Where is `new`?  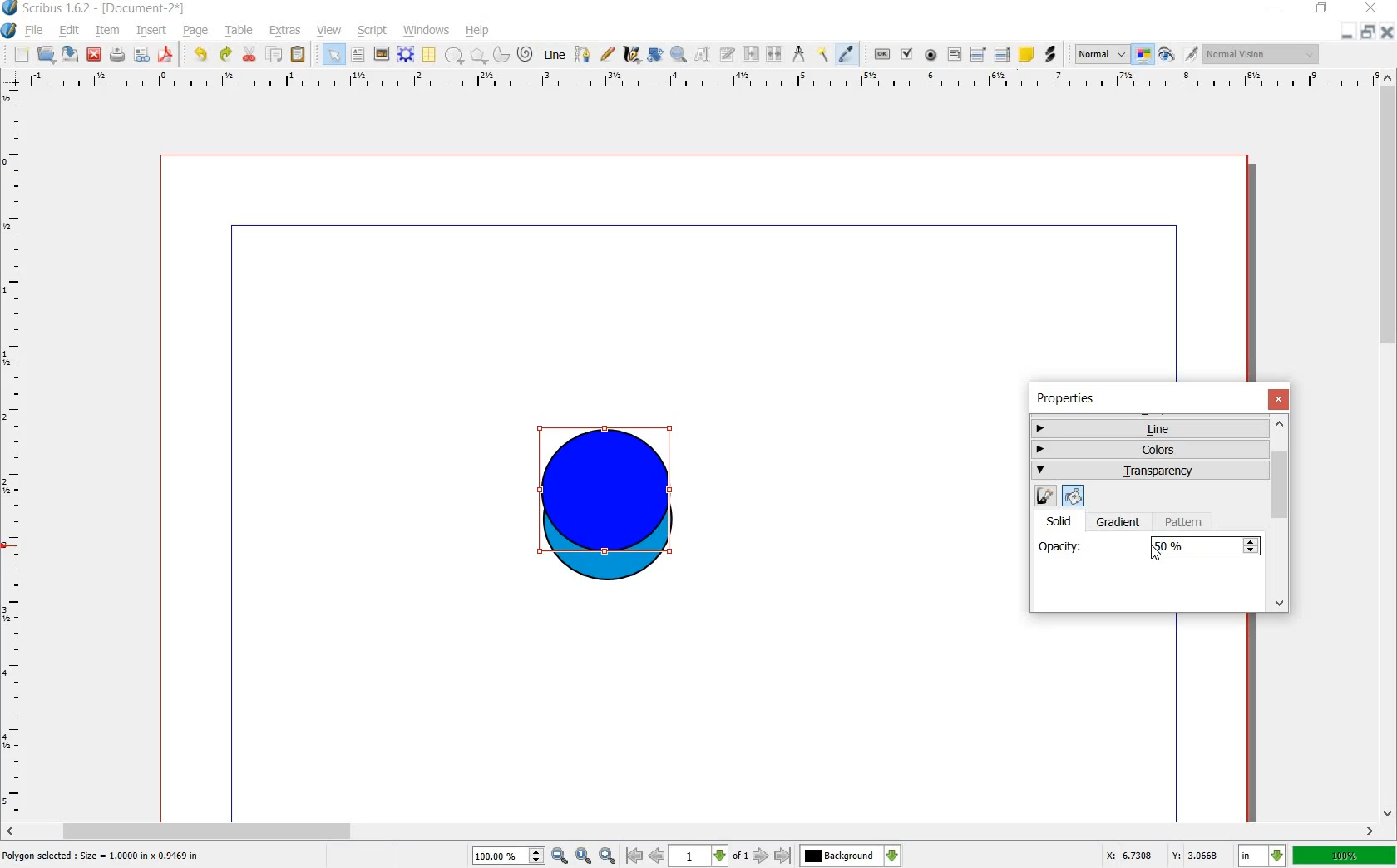 new is located at coordinates (22, 55).